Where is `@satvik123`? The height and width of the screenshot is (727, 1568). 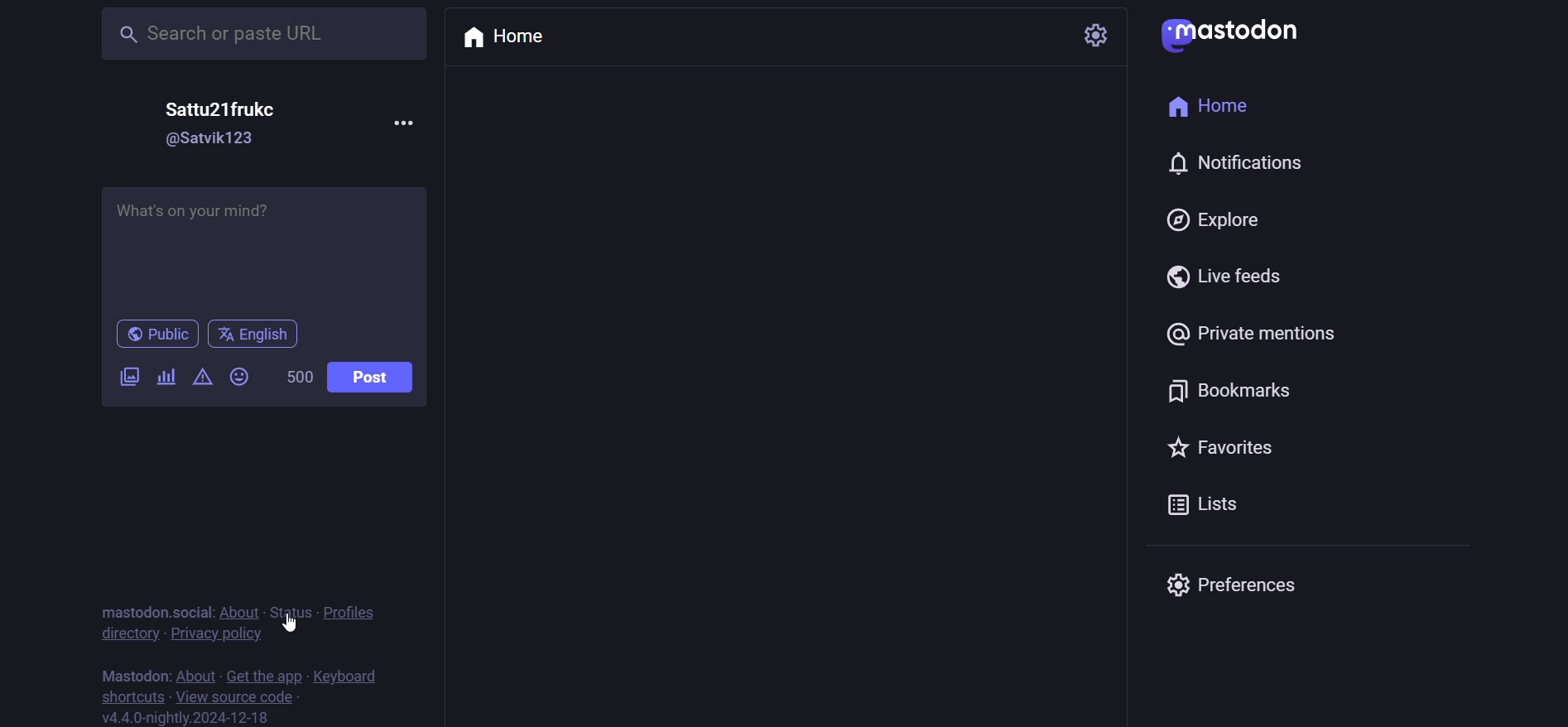
@satvik123 is located at coordinates (218, 142).